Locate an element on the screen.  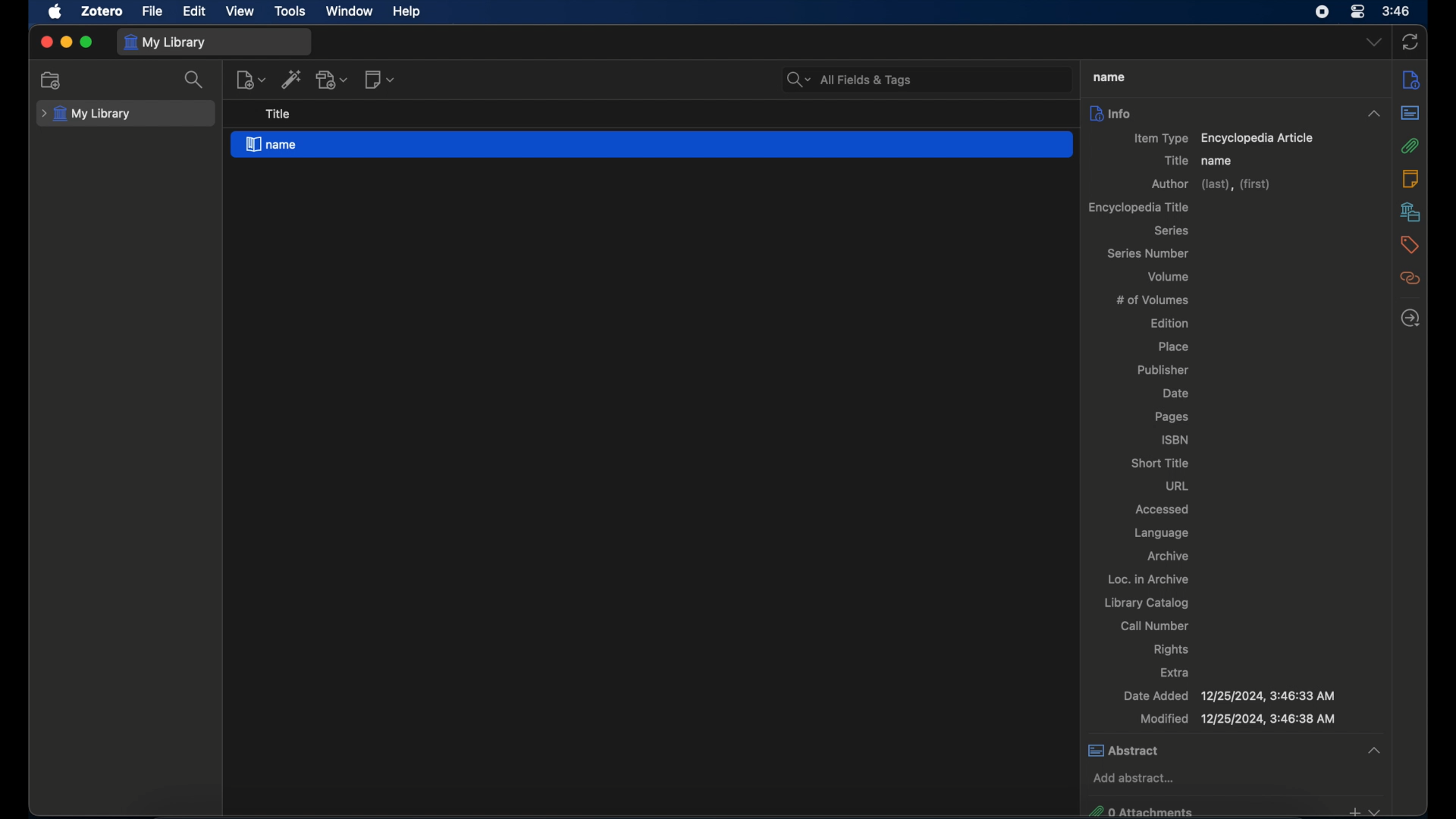
pages is located at coordinates (1173, 417).